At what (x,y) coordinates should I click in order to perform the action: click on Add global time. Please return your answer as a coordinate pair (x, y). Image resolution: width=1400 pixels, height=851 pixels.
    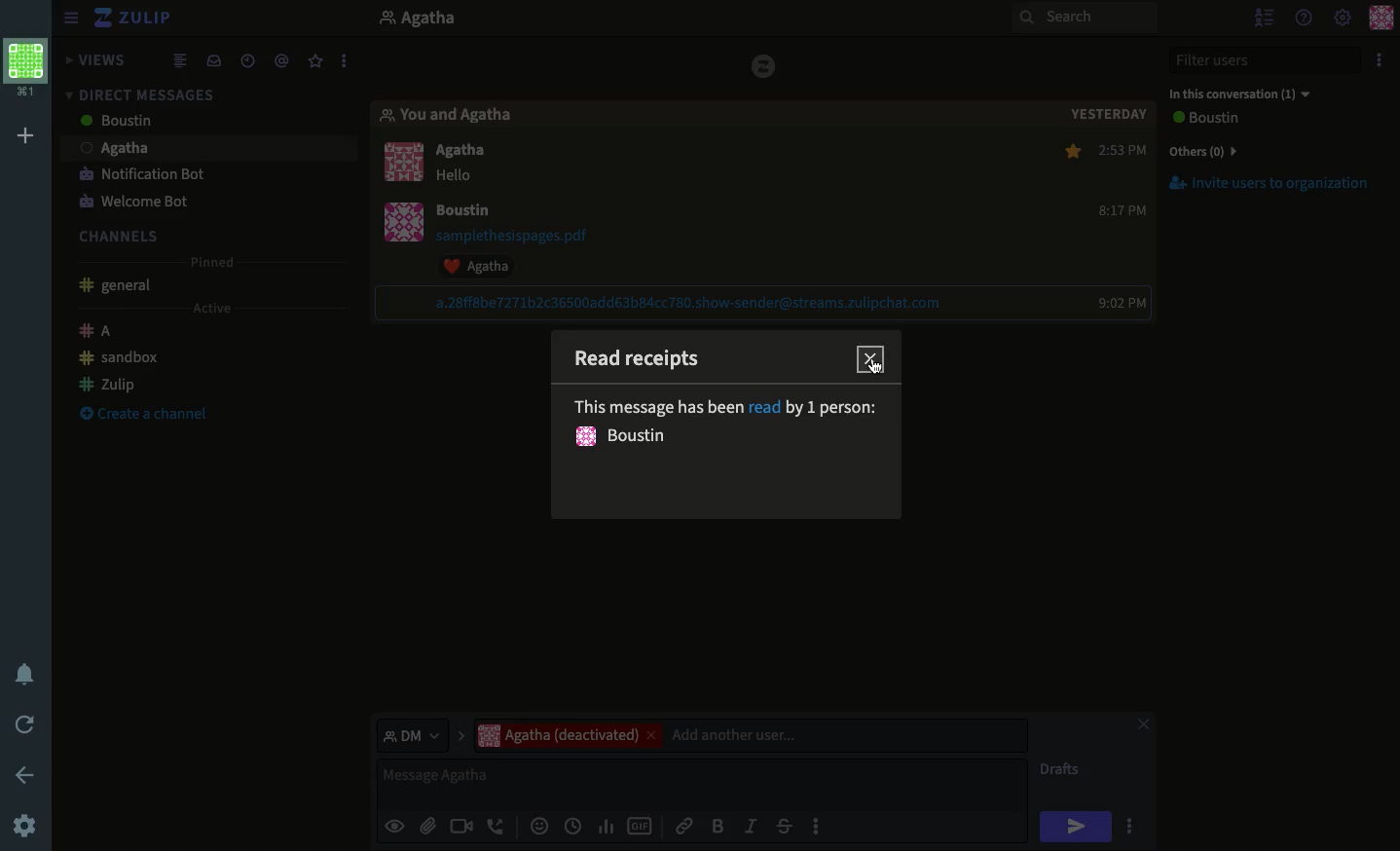
    Looking at the image, I should click on (576, 826).